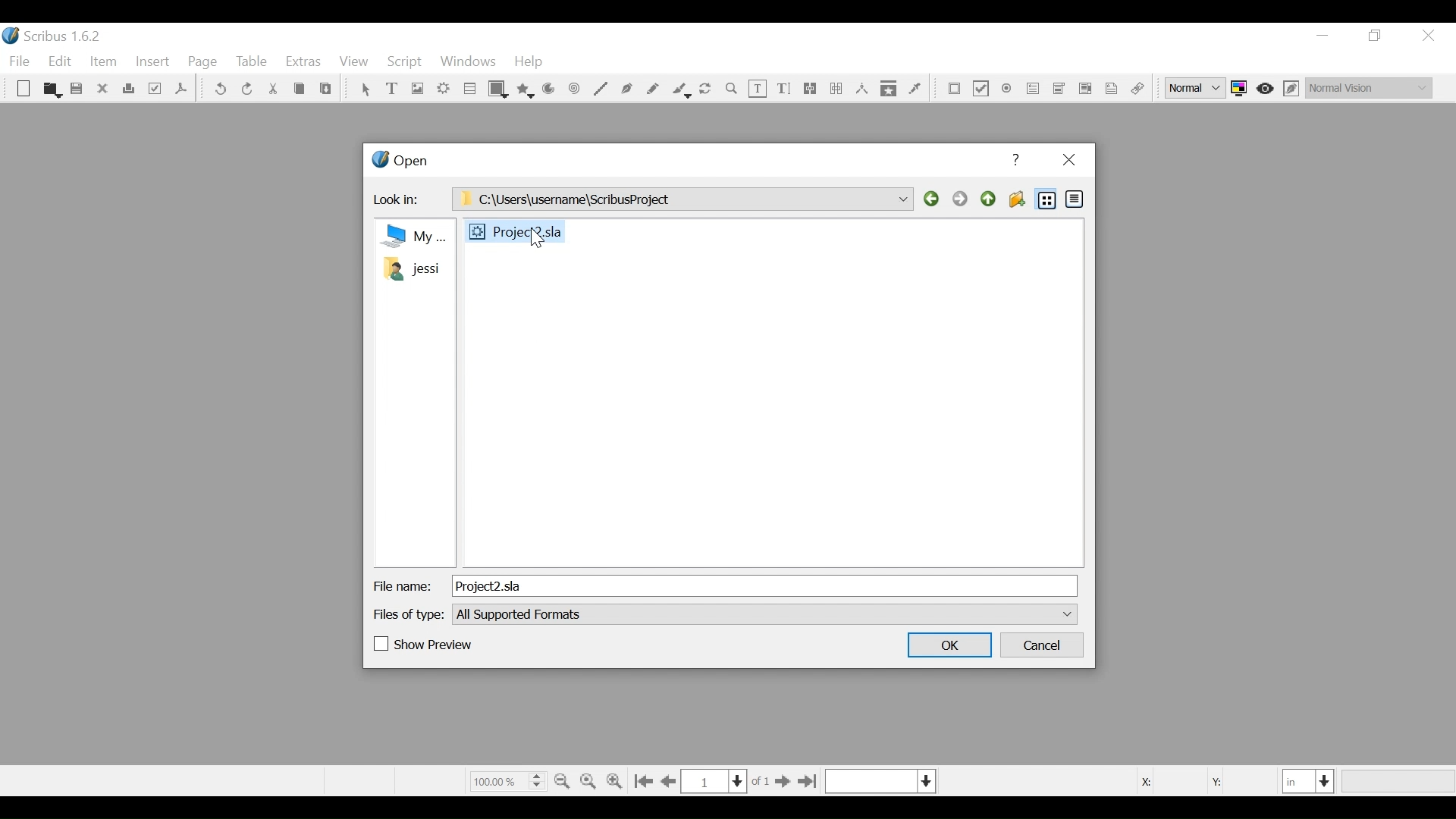  What do you see at coordinates (1018, 160) in the screenshot?
I see `Help` at bounding box center [1018, 160].